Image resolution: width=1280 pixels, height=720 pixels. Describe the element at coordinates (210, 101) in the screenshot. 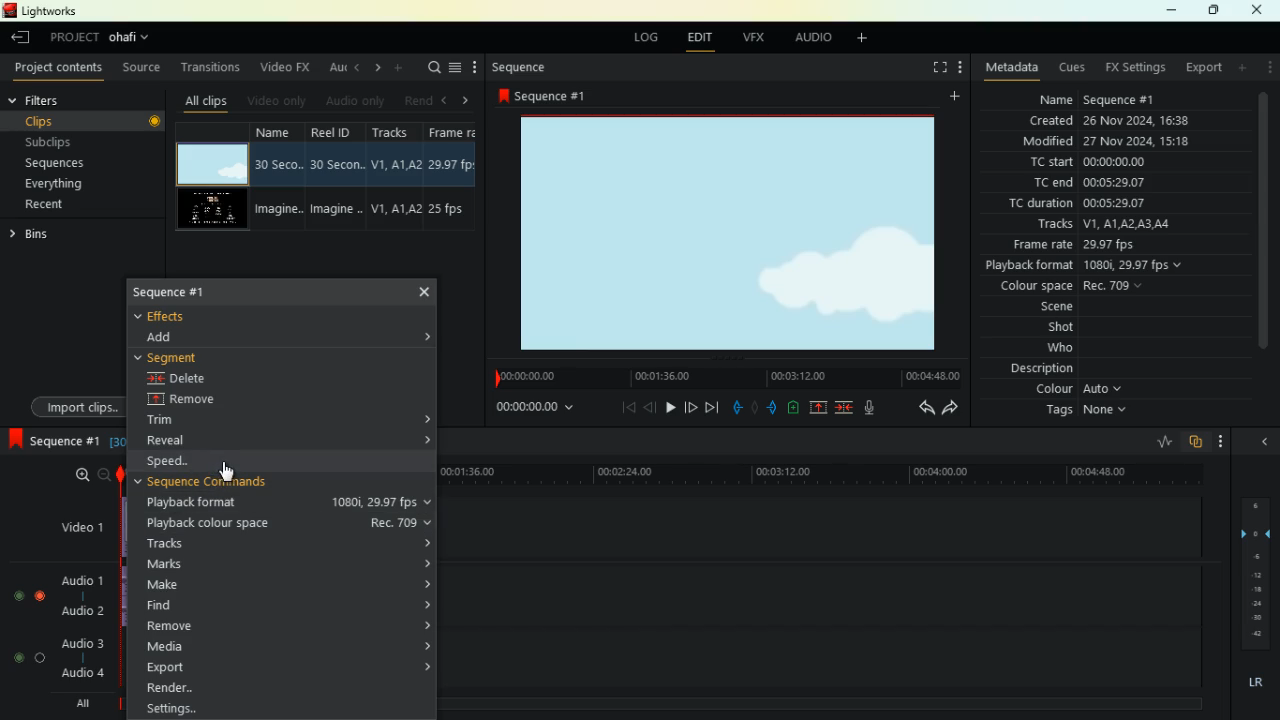

I see `all clips` at that location.